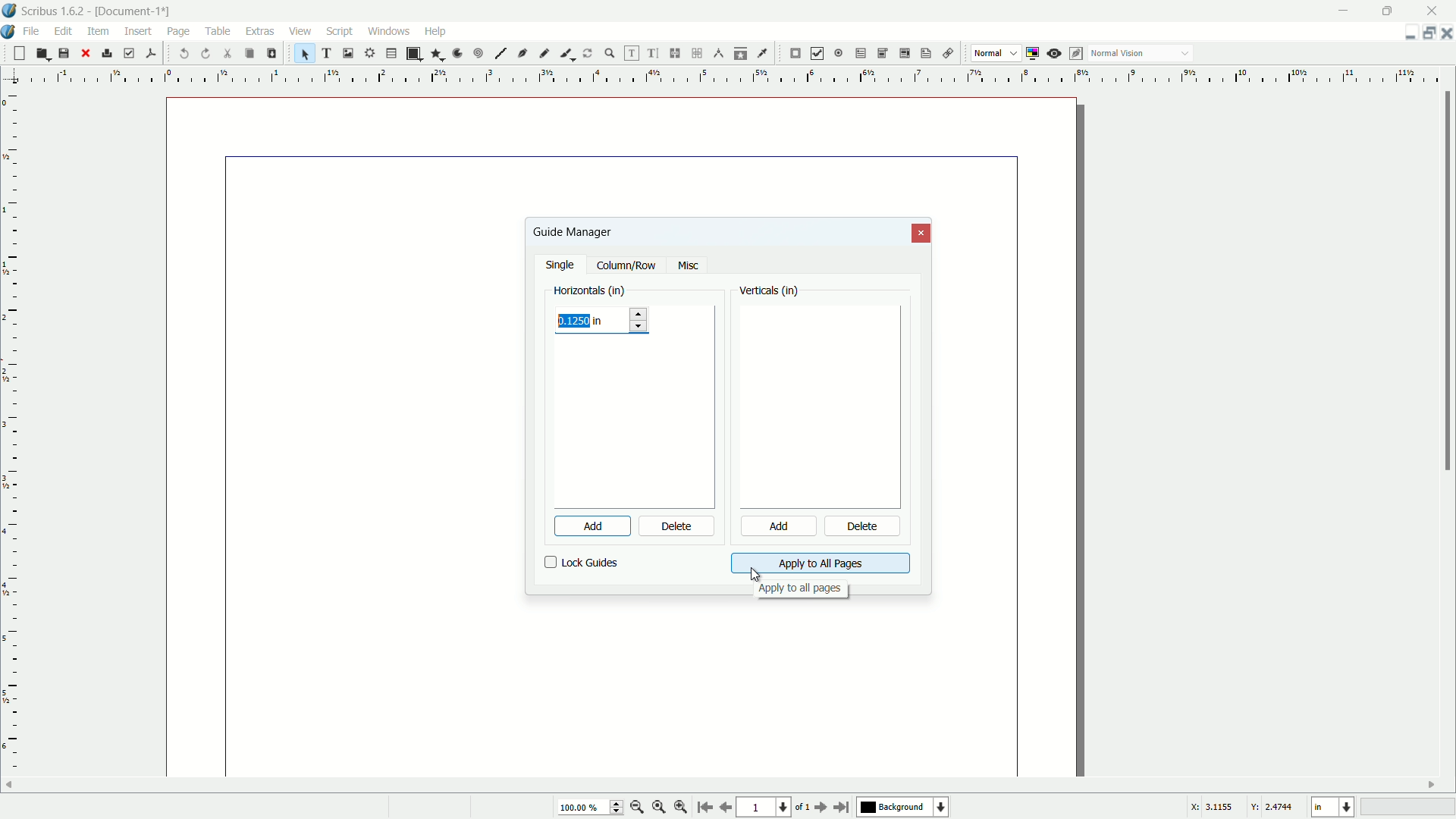 The width and height of the screenshot is (1456, 819). I want to click on measuring scale, so click(11, 445).